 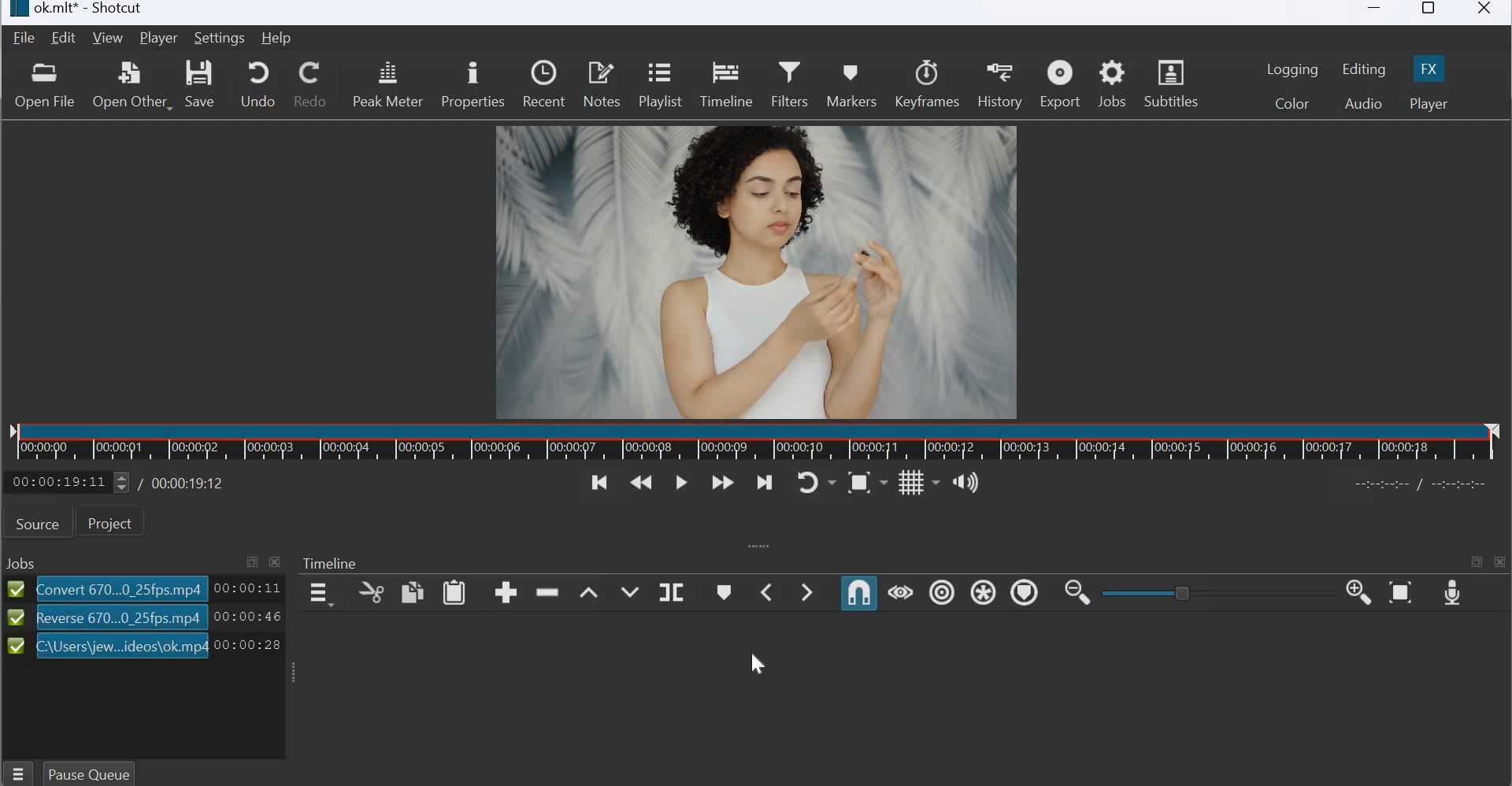 I want to click on Skip to the previous point, so click(x=597, y=483).